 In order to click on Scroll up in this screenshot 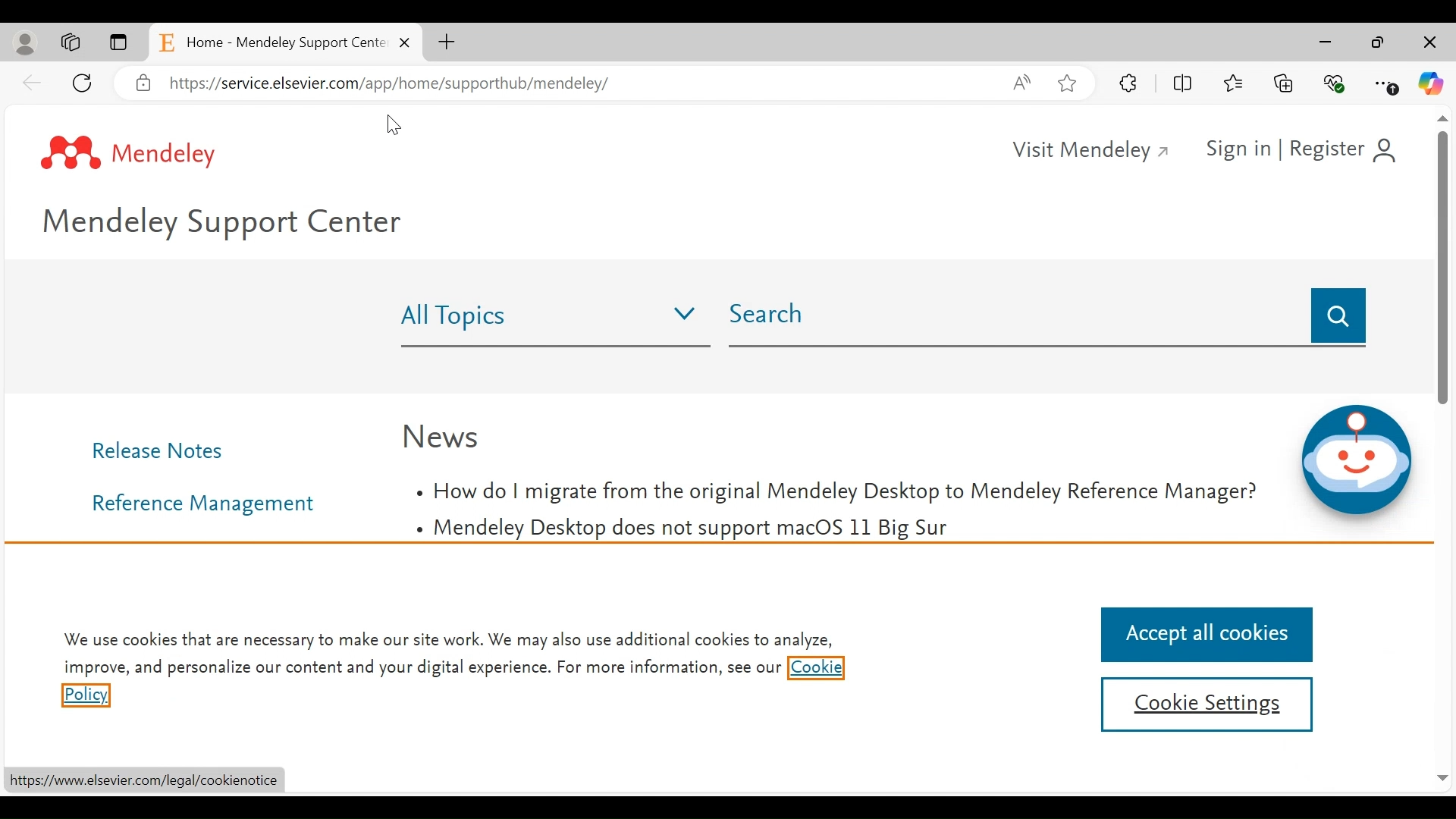, I will do `click(1443, 117)`.